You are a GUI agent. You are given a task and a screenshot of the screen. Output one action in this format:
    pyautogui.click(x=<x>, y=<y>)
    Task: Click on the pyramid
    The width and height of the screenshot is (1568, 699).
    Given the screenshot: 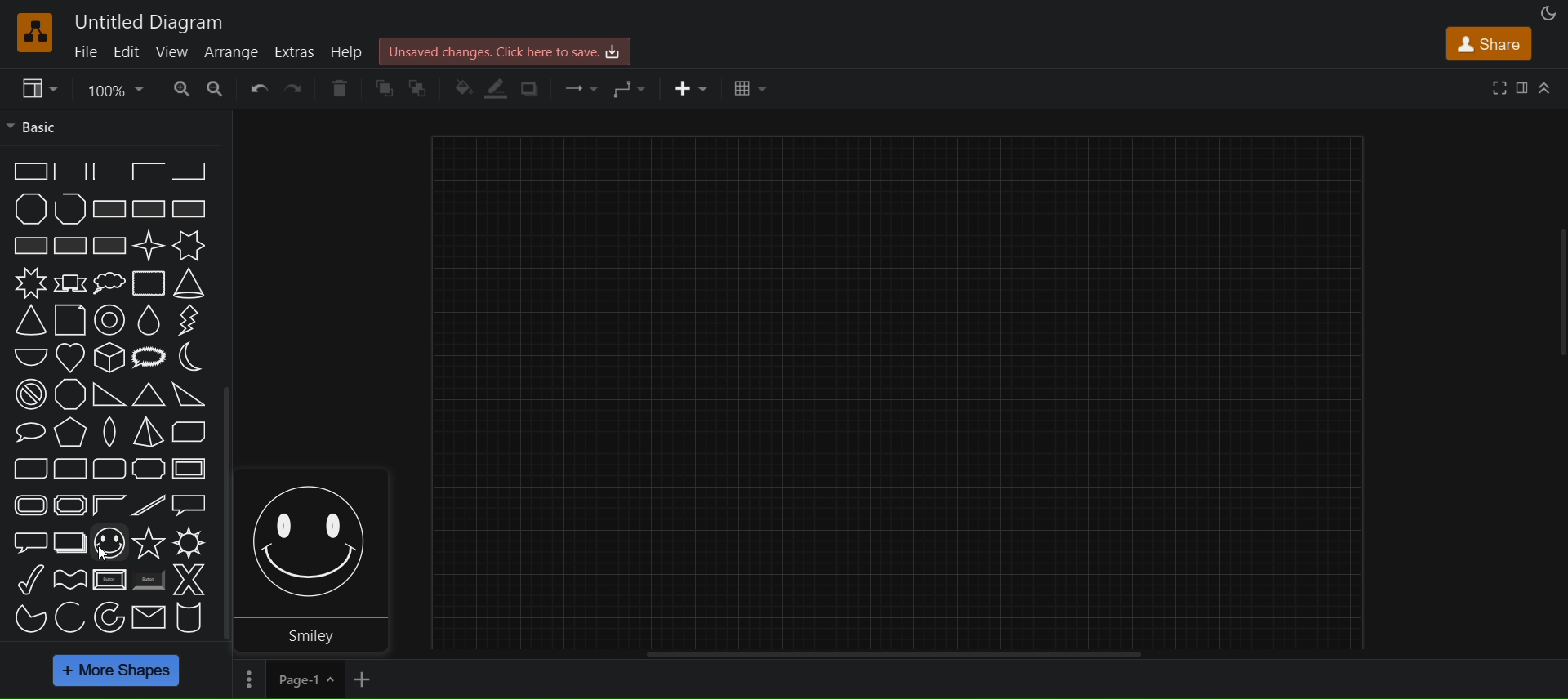 What is the action you would take?
    pyautogui.click(x=147, y=433)
    